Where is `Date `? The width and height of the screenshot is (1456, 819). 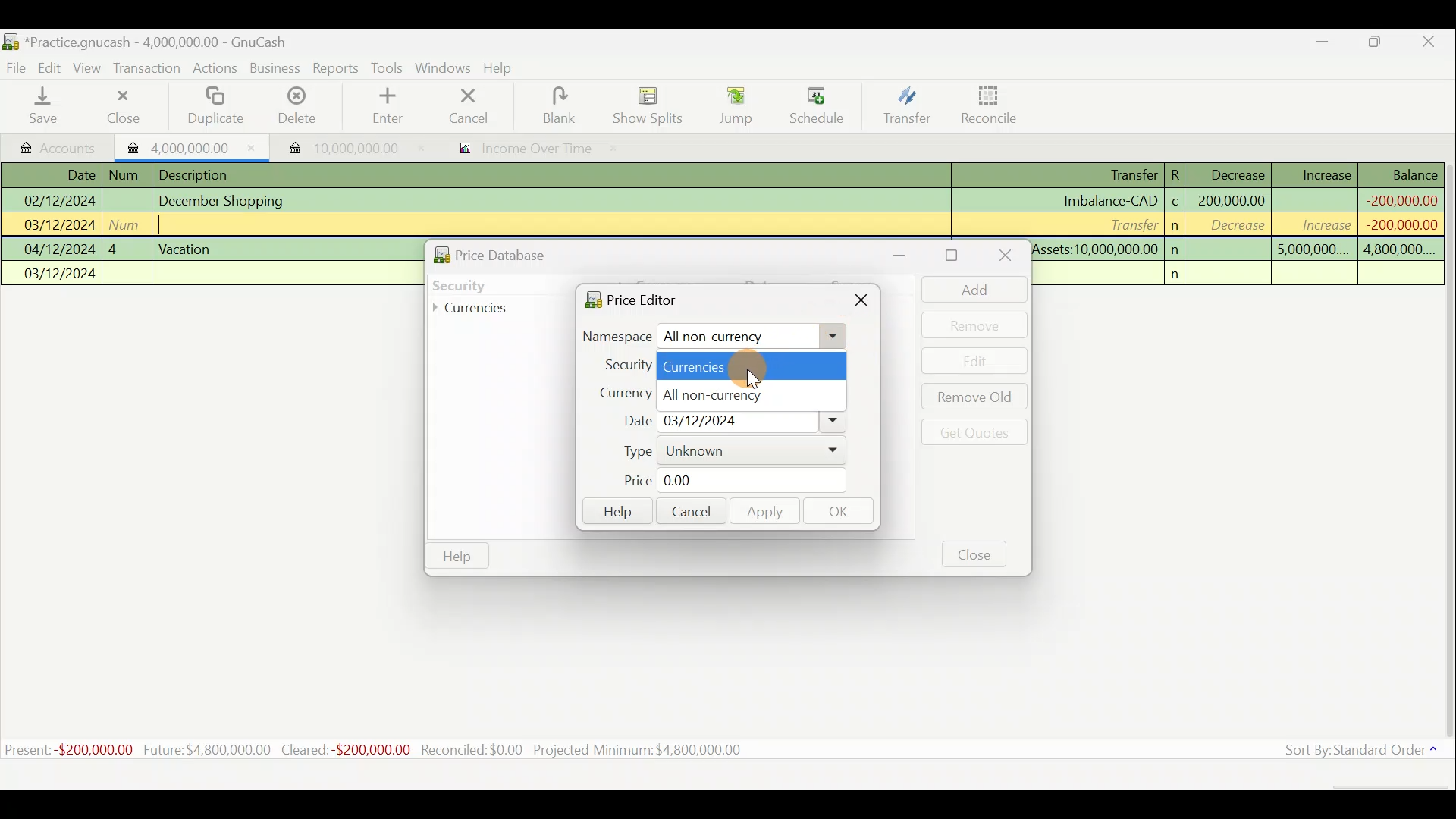
Date  is located at coordinates (71, 174).